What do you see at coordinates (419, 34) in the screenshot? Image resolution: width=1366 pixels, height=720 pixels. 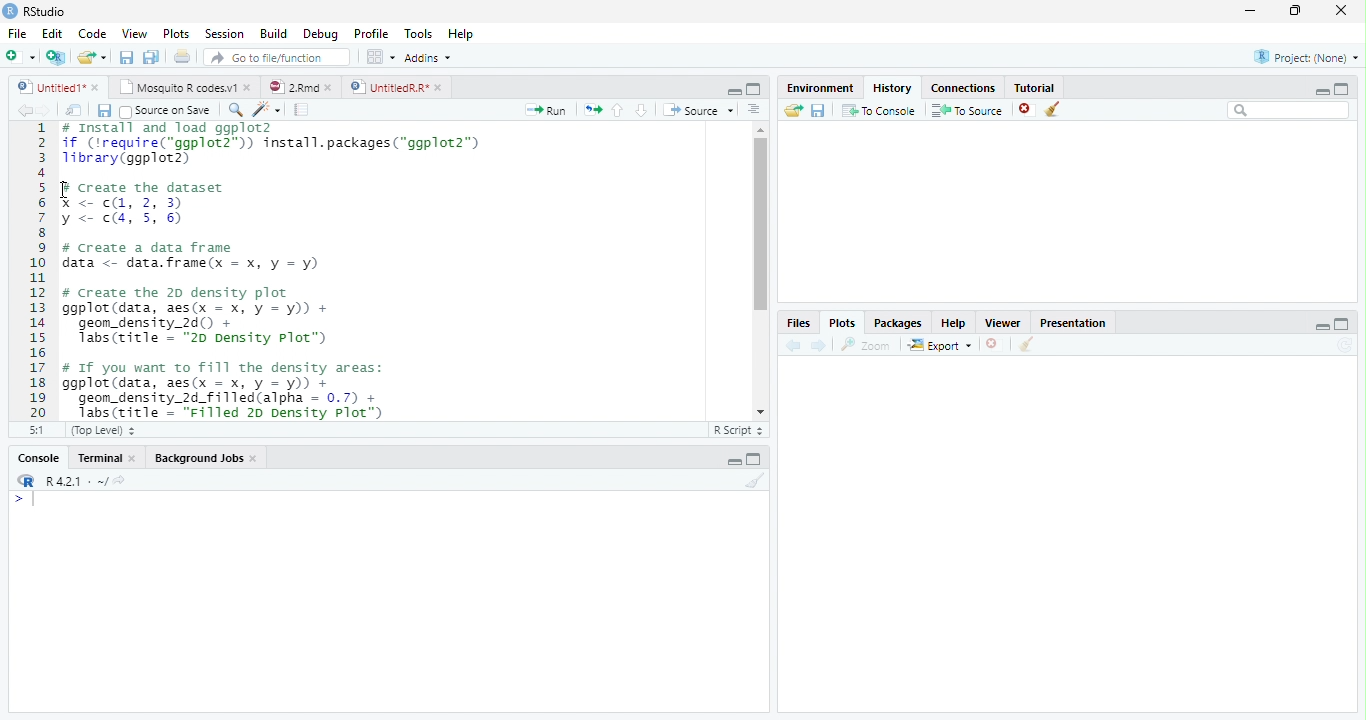 I see `Tools` at bounding box center [419, 34].